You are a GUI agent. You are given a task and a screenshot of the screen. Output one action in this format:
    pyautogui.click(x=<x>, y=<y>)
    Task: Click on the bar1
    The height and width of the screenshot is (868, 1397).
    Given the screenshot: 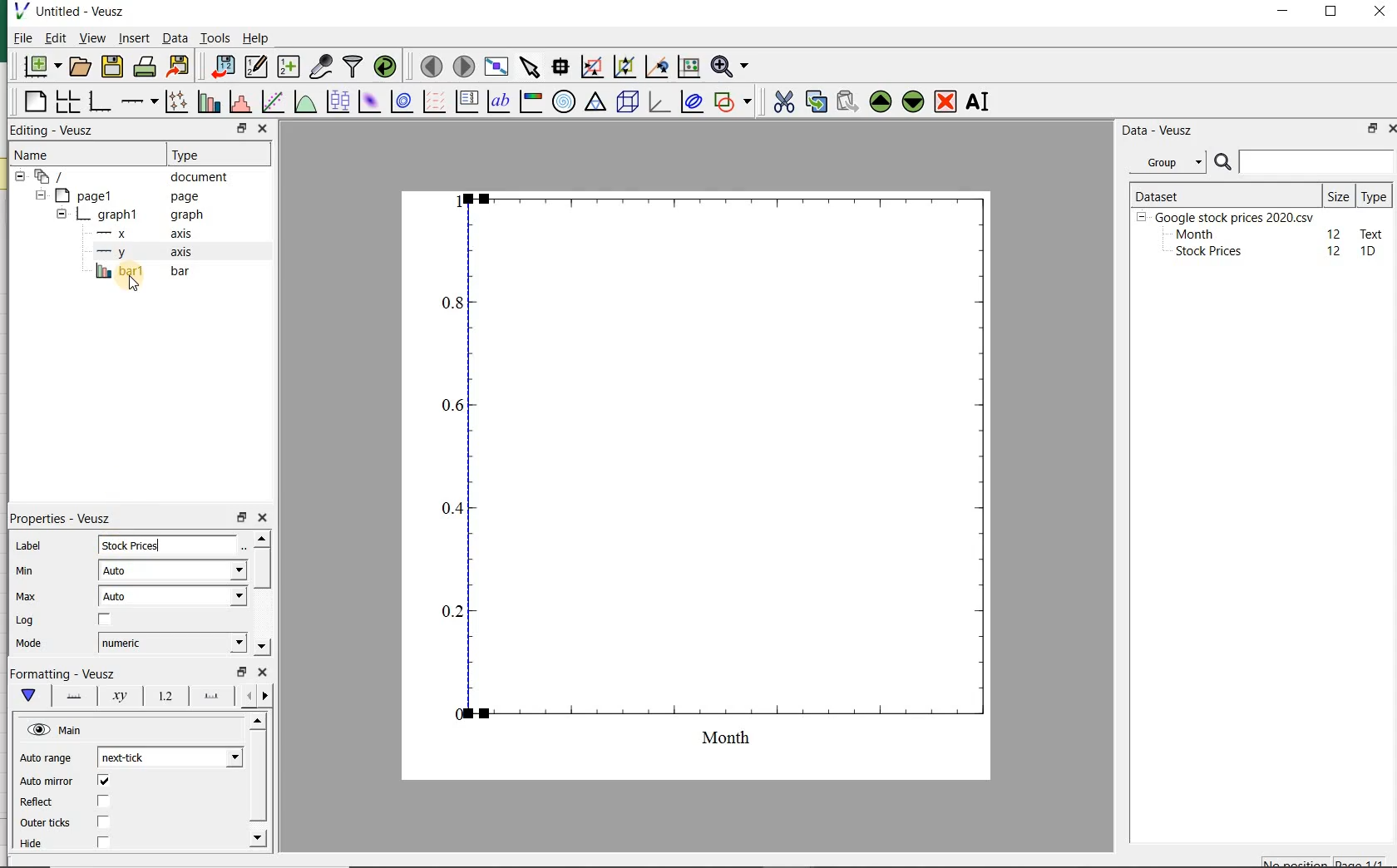 What is the action you would take?
    pyautogui.click(x=140, y=272)
    